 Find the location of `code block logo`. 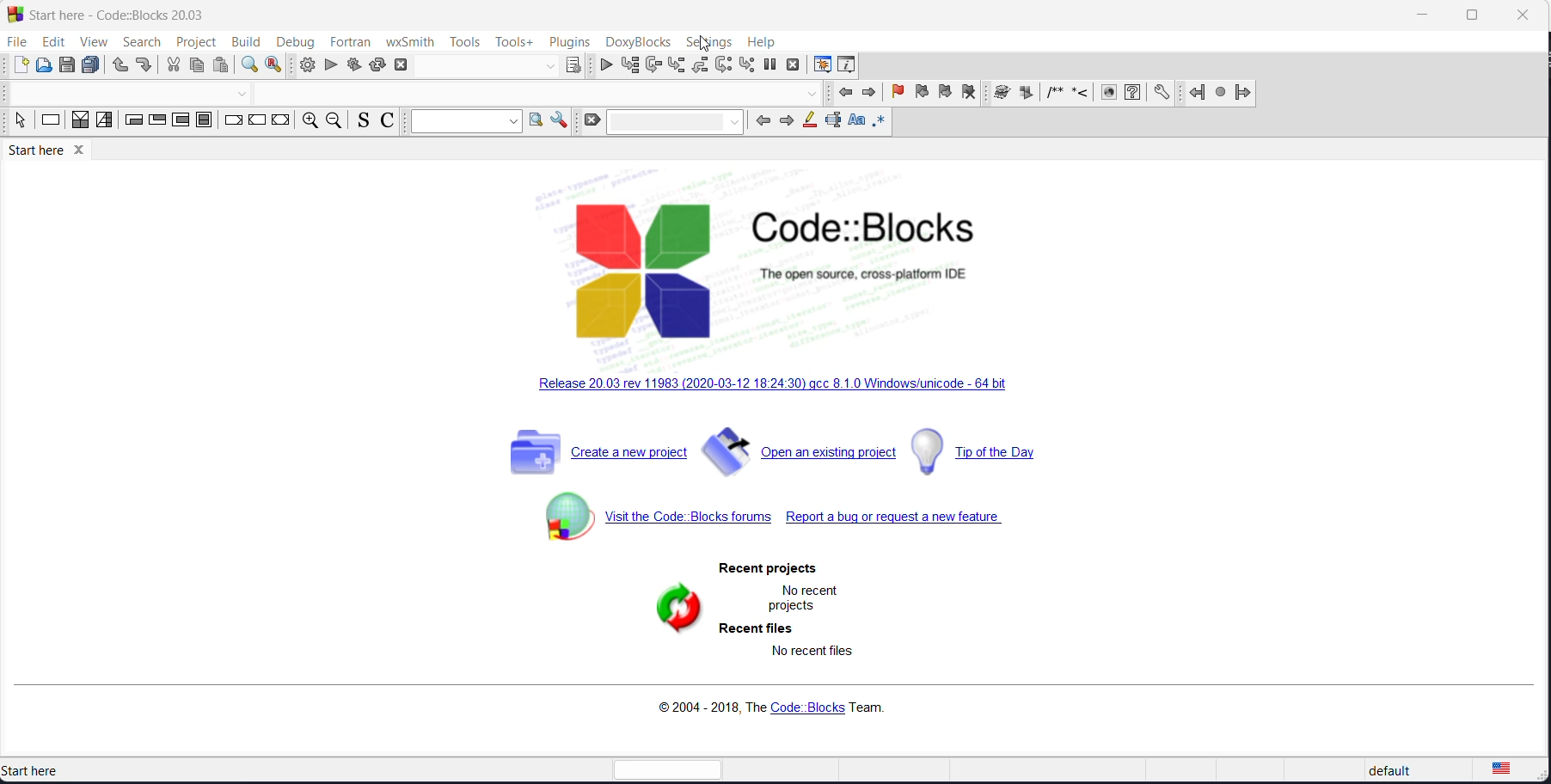

code block logo is located at coordinates (771, 273).